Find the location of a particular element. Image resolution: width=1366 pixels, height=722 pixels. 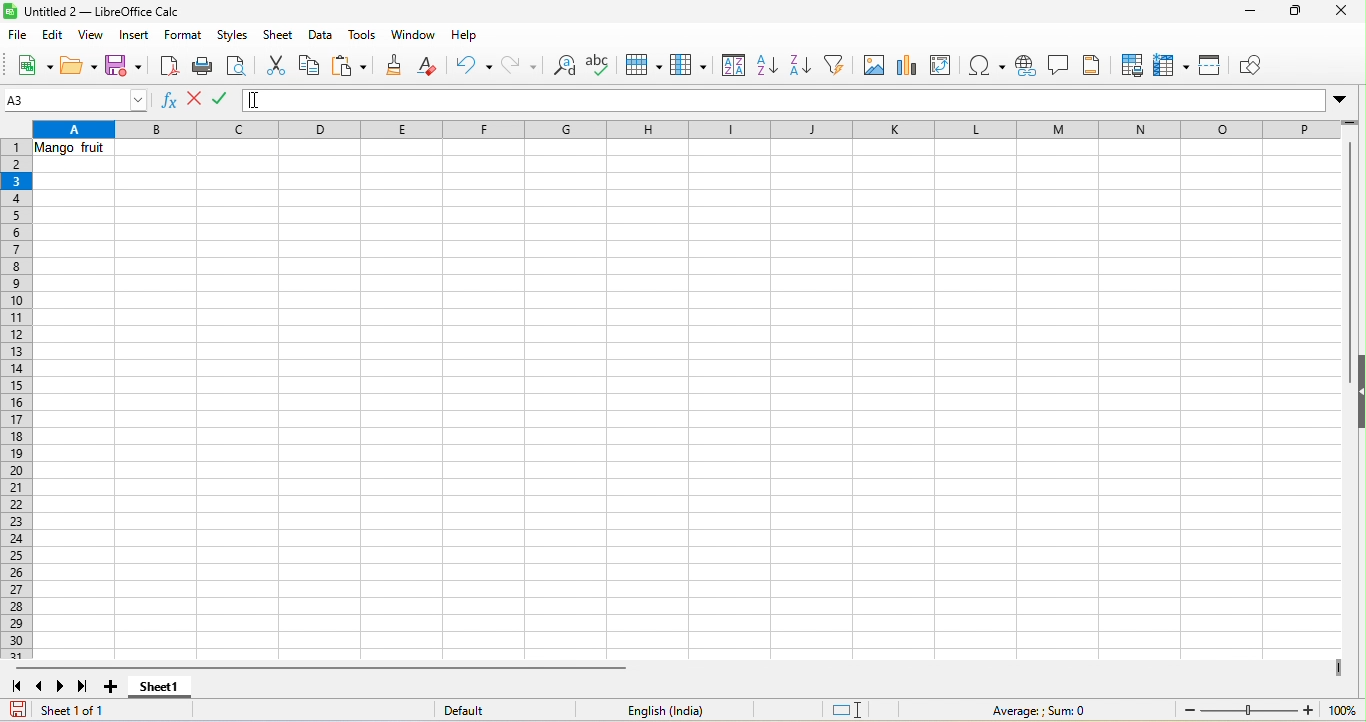

edit is located at coordinates (53, 35).